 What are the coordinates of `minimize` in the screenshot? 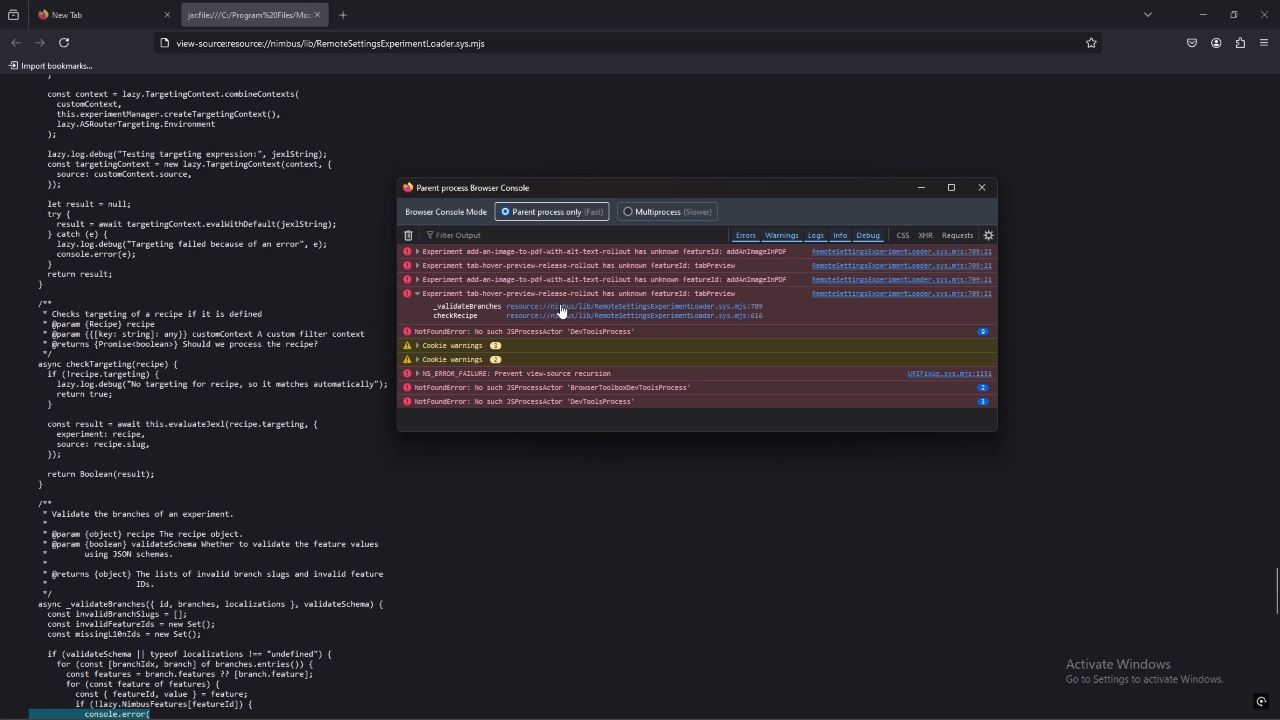 It's located at (923, 188).